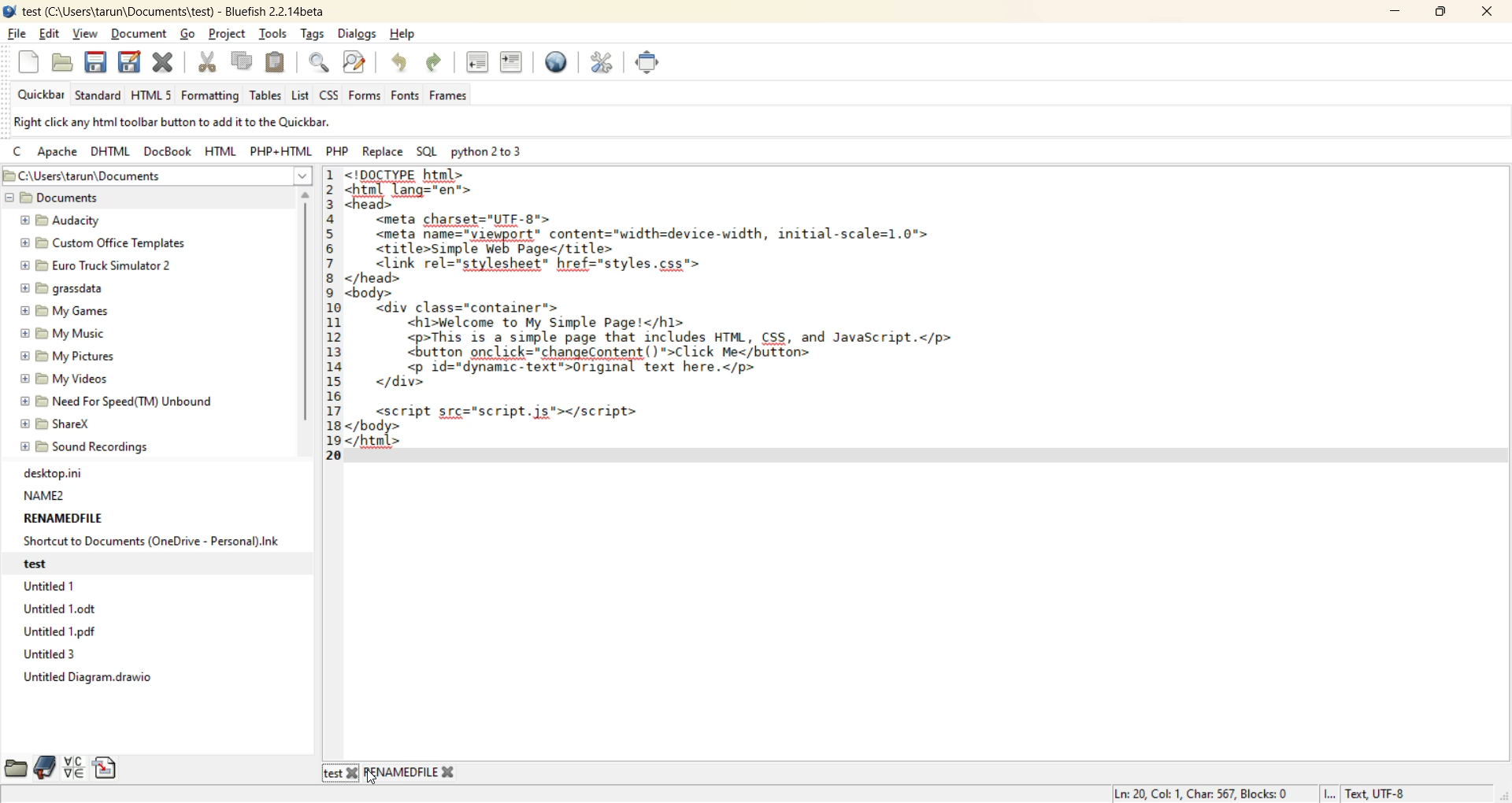 Image resolution: width=1512 pixels, height=803 pixels. I want to click on list, so click(301, 94).